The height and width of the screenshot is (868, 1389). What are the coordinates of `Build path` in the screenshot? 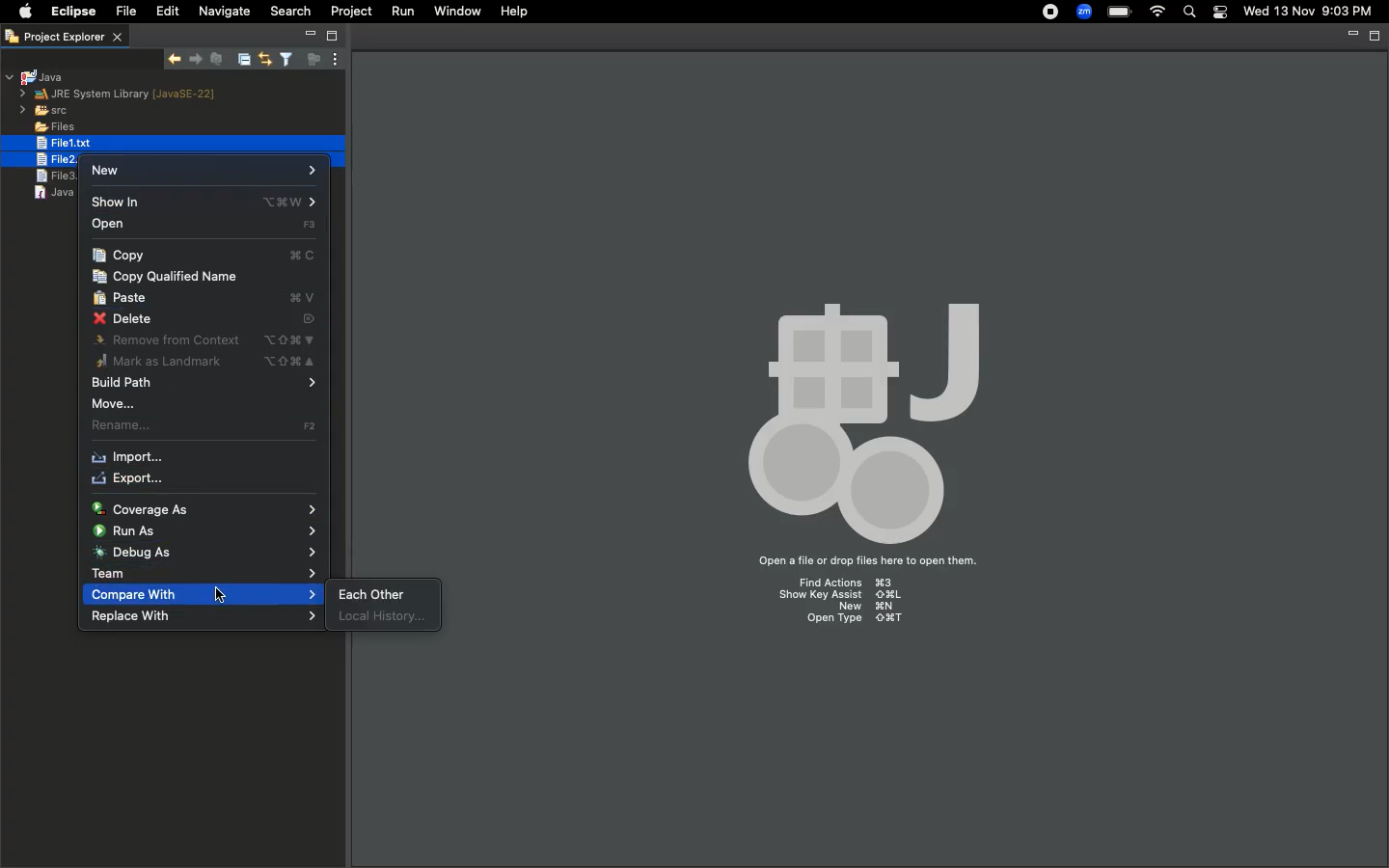 It's located at (207, 380).